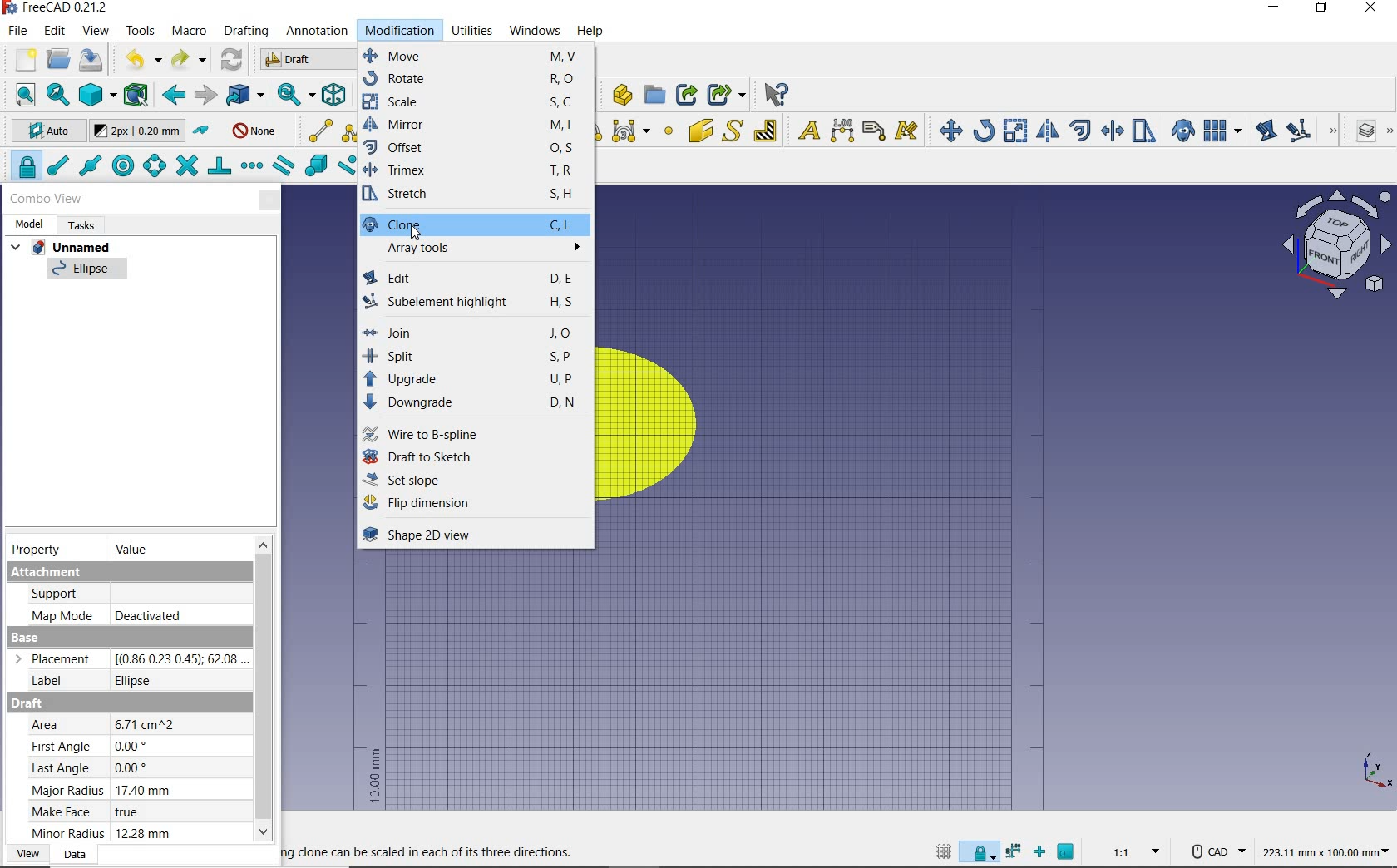 This screenshot has width=1397, height=868. Describe the element at coordinates (473, 277) in the screenshot. I see `edit` at that location.